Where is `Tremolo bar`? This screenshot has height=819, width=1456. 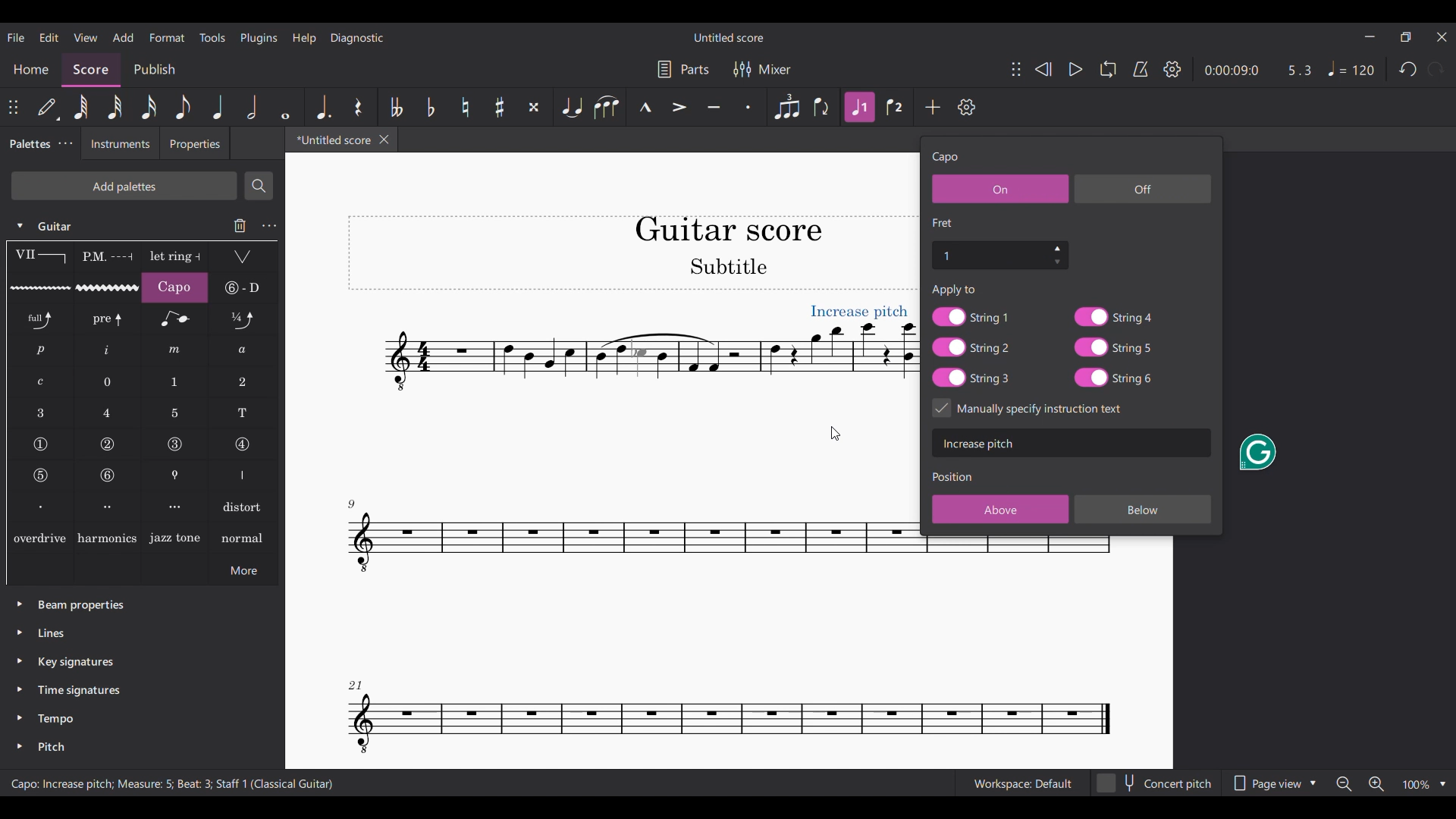
Tremolo bar is located at coordinates (243, 257).